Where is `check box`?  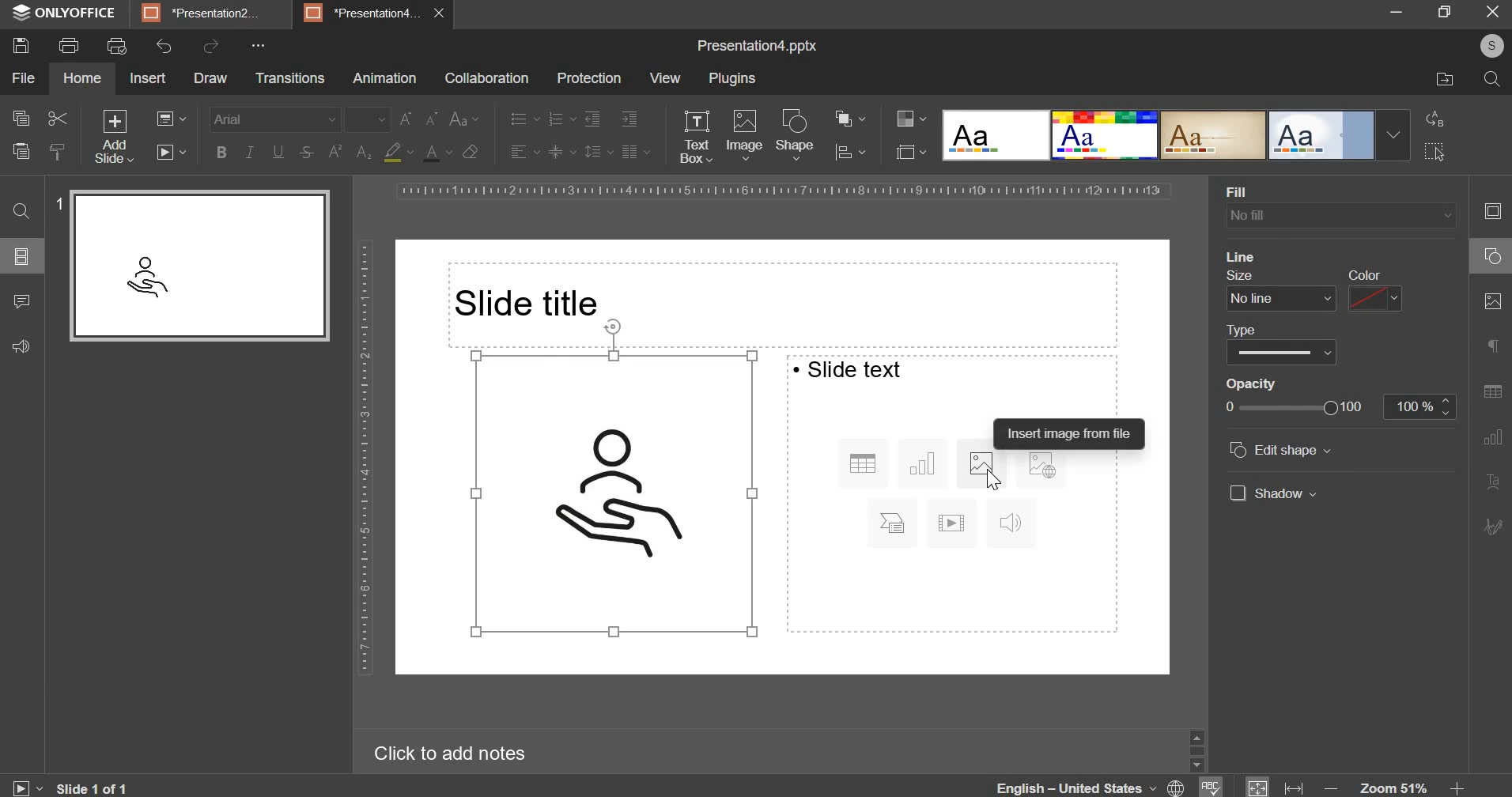 check box is located at coordinates (1235, 489).